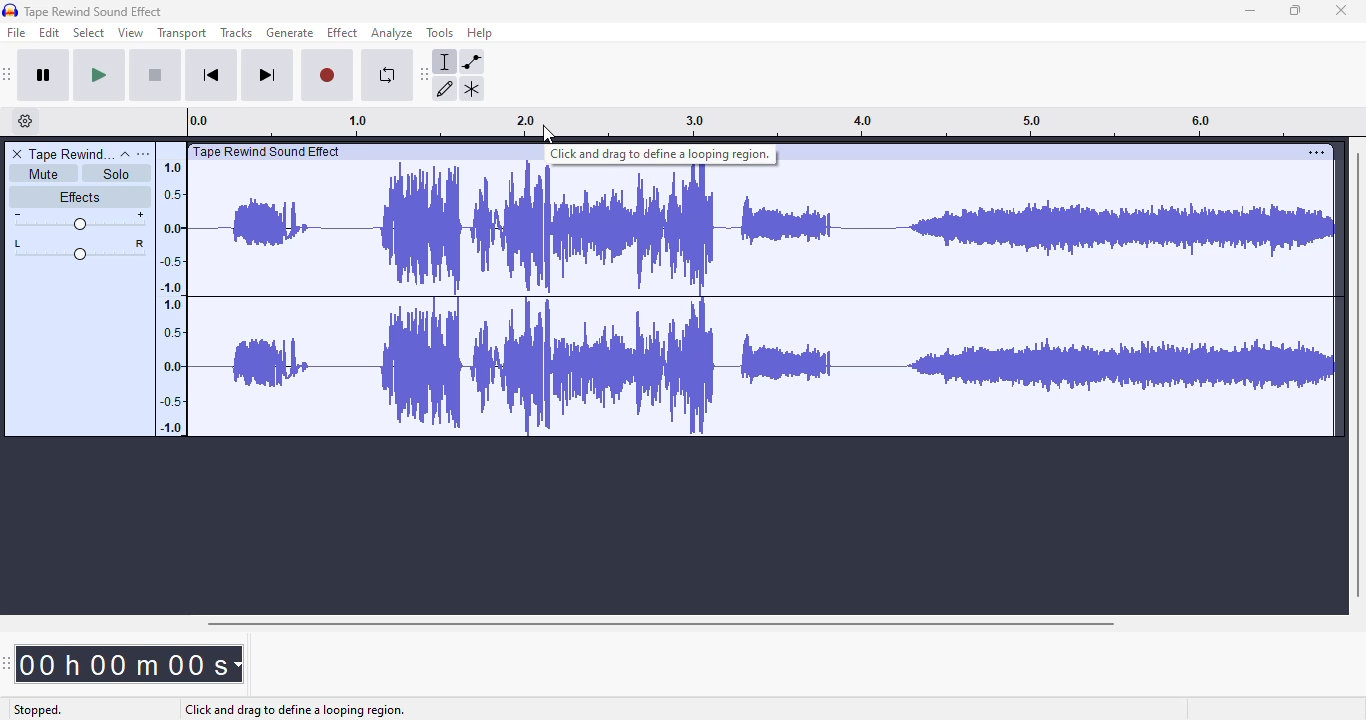 The image size is (1366, 720). I want to click on audacity transport toolbar, so click(7, 75).